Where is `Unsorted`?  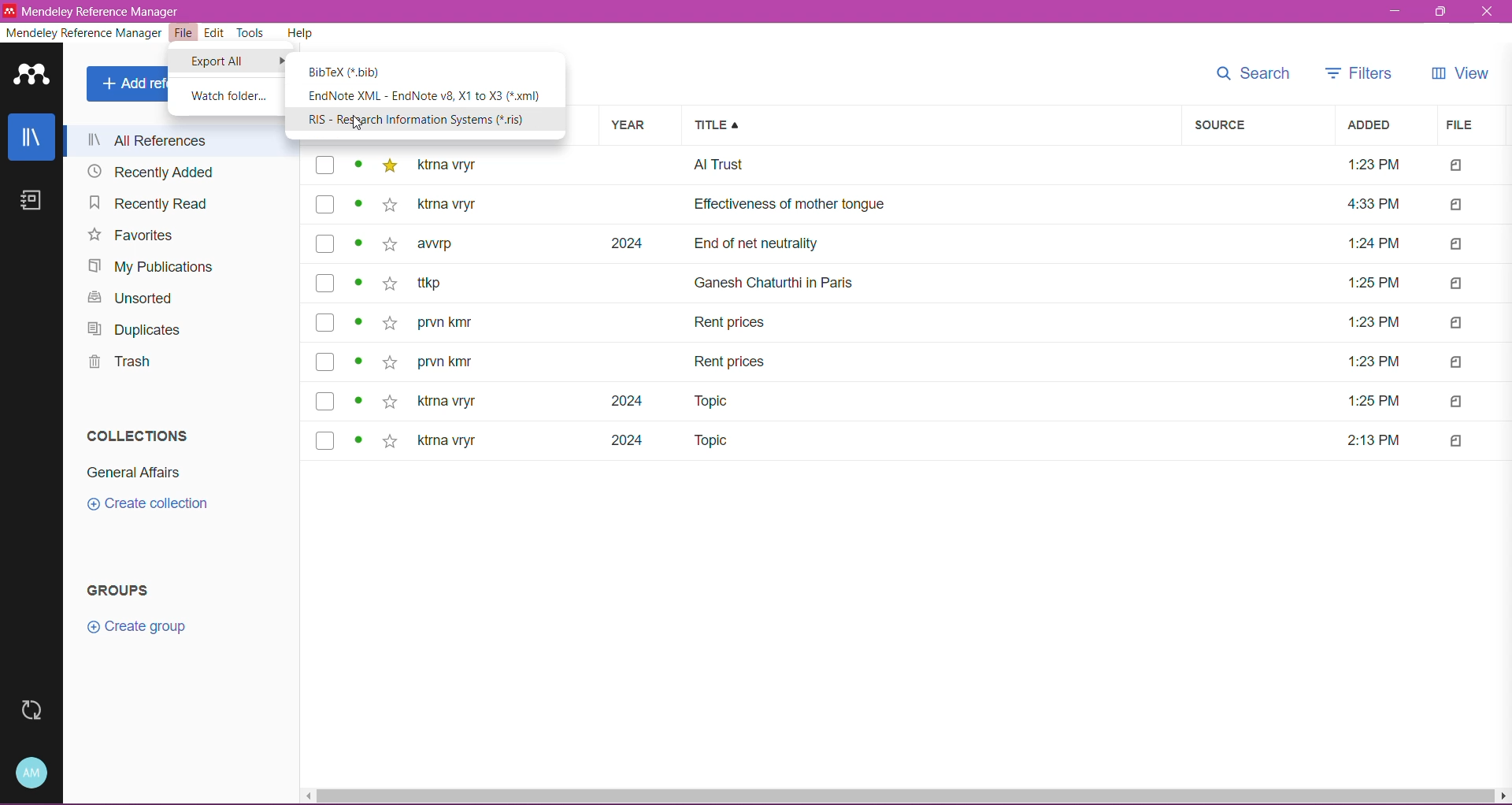
Unsorted is located at coordinates (128, 299).